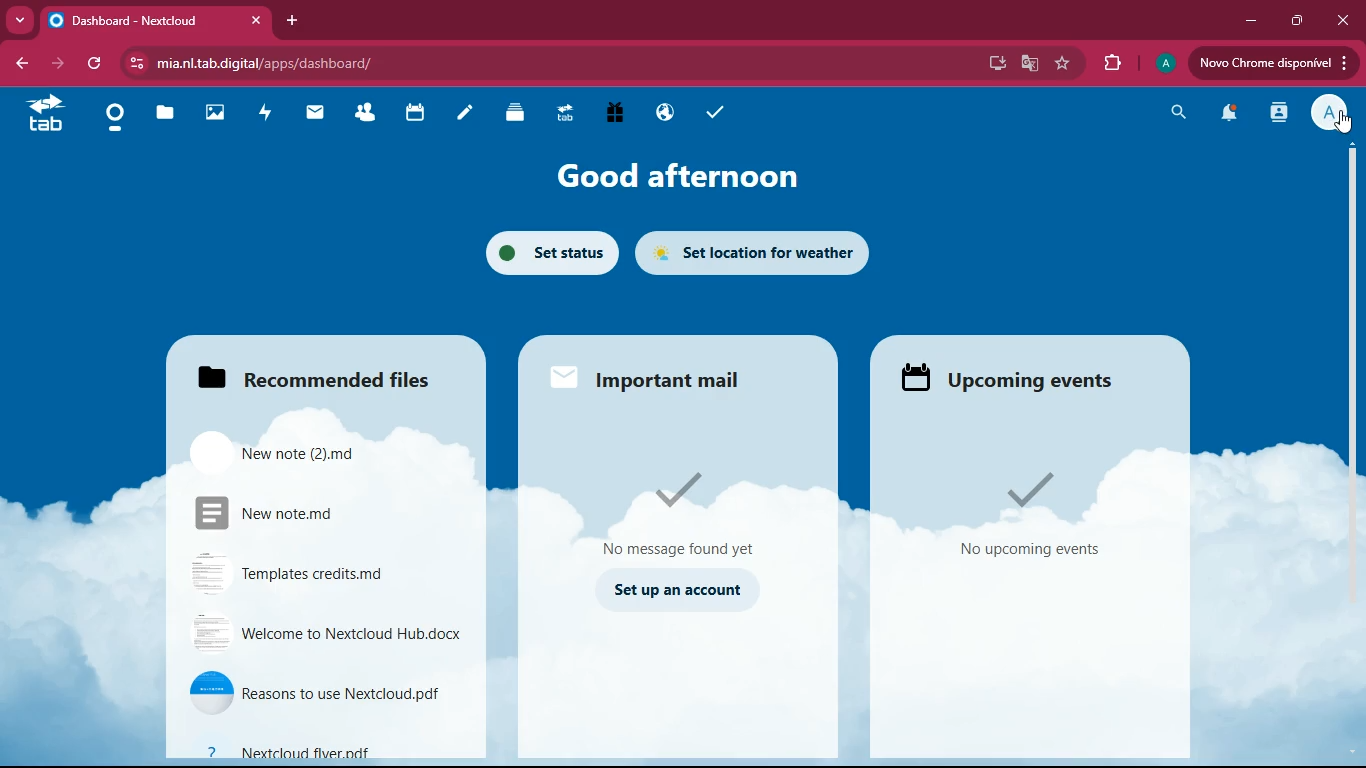  What do you see at coordinates (322, 696) in the screenshot?
I see `file` at bounding box center [322, 696].